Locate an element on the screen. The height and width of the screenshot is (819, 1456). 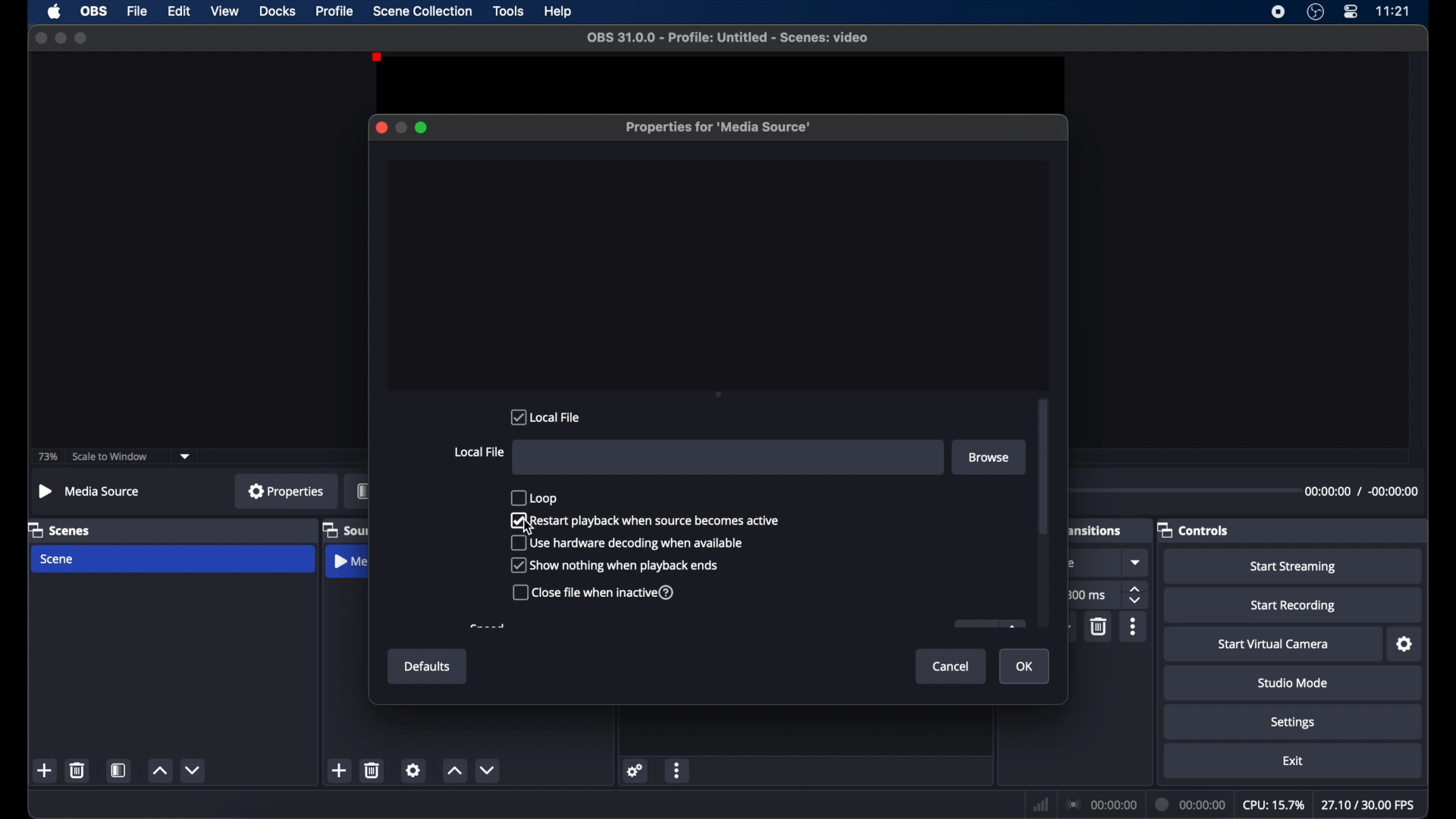
add is located at coordinates (340, 770).